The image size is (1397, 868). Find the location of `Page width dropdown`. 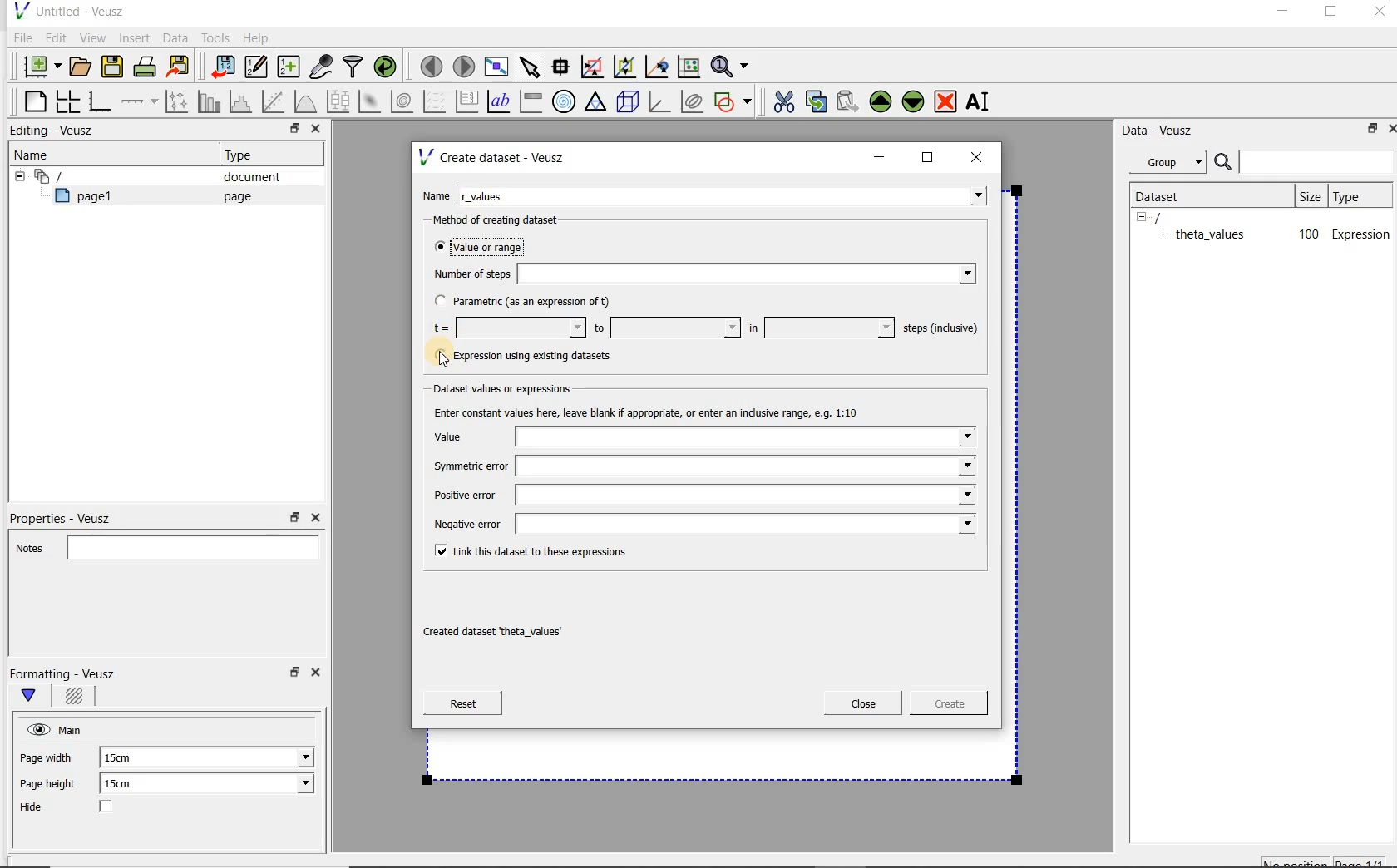

Page width dropdown is located at coordinates (287, 757).